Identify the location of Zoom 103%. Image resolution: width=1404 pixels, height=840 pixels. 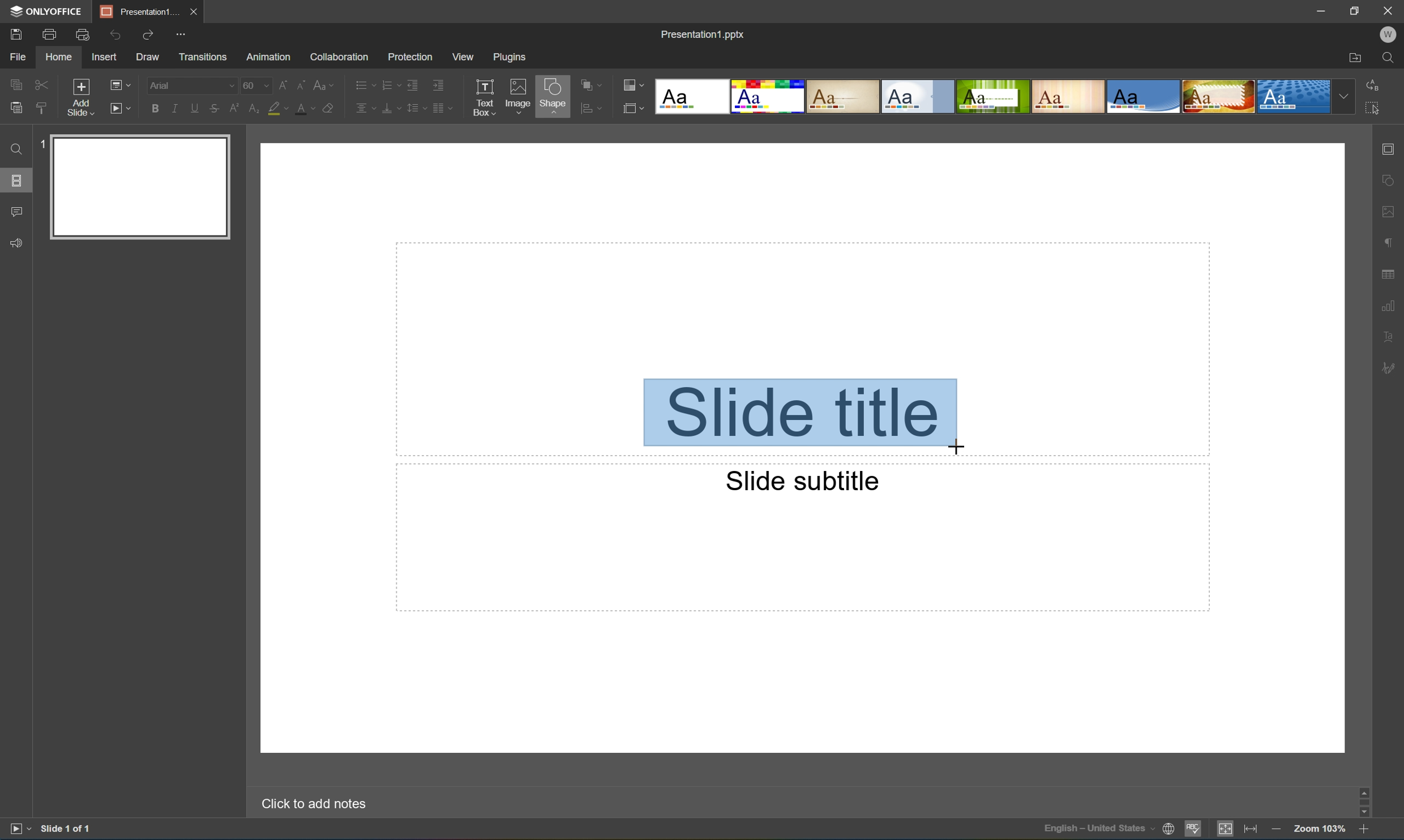
(1319, 829).